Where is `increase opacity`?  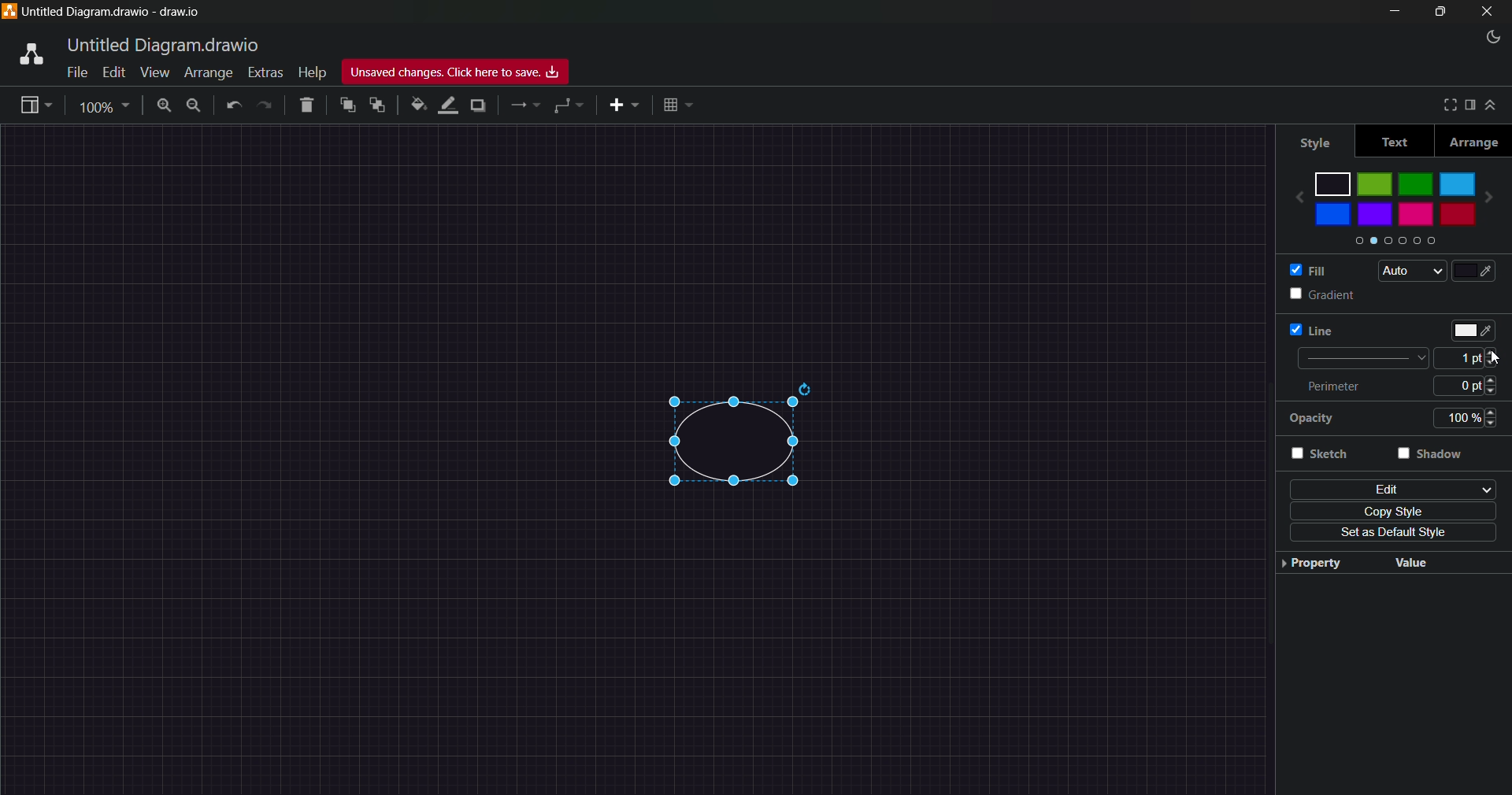 increase opacity is located at coordinates (1495, 411).